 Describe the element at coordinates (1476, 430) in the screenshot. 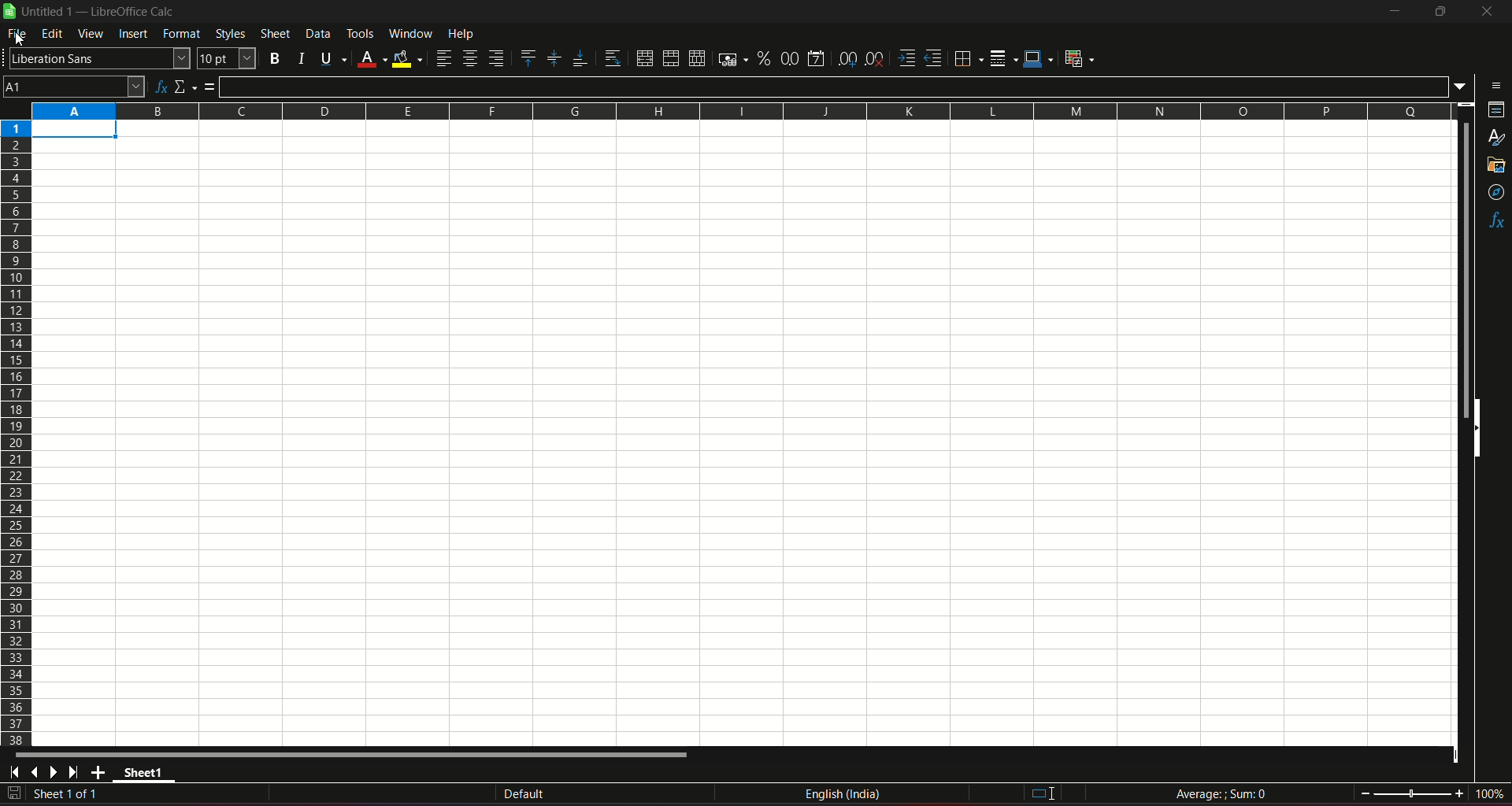

I see `hide` at that location.